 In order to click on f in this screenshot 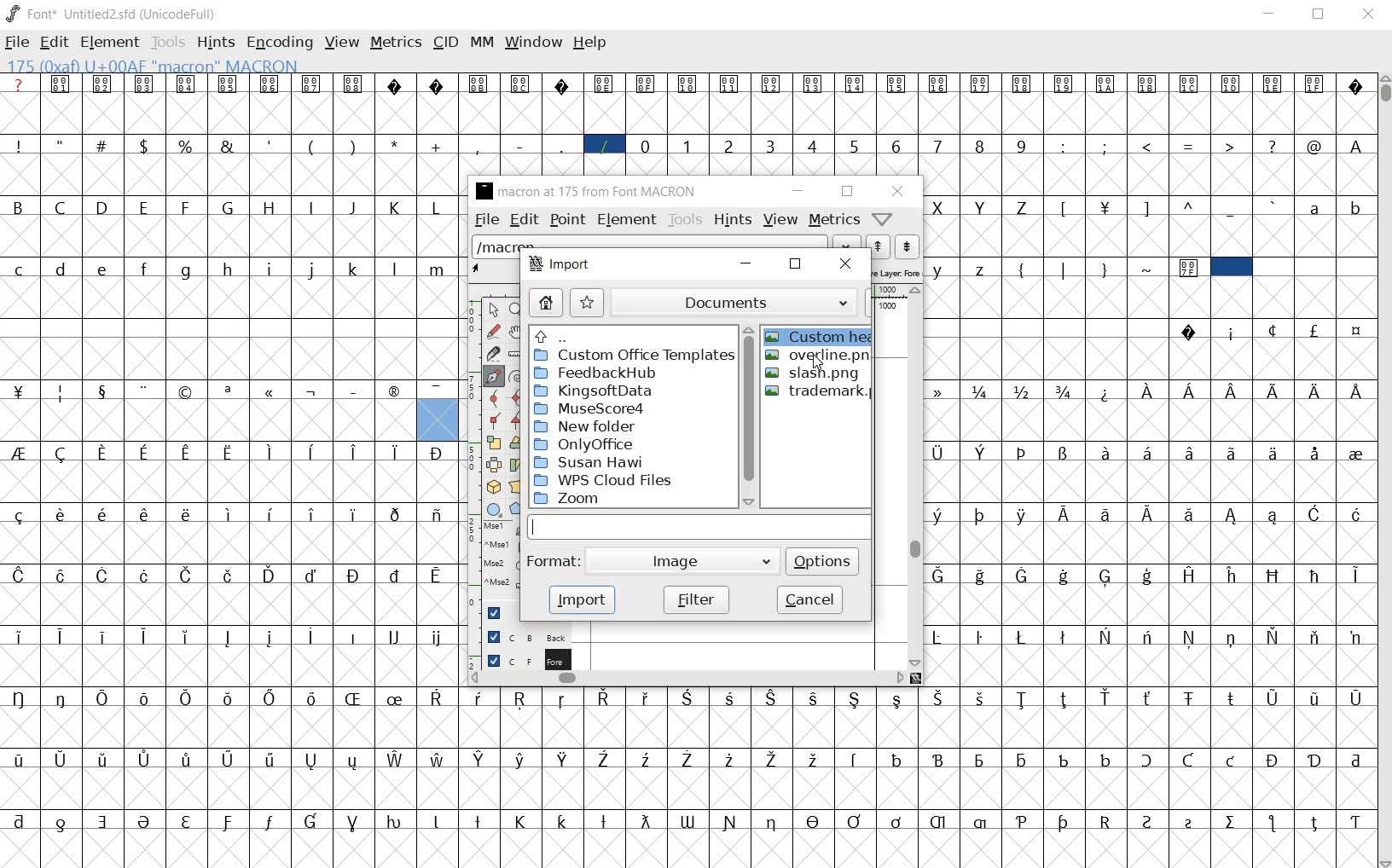, I will do `click(148, 267)`.